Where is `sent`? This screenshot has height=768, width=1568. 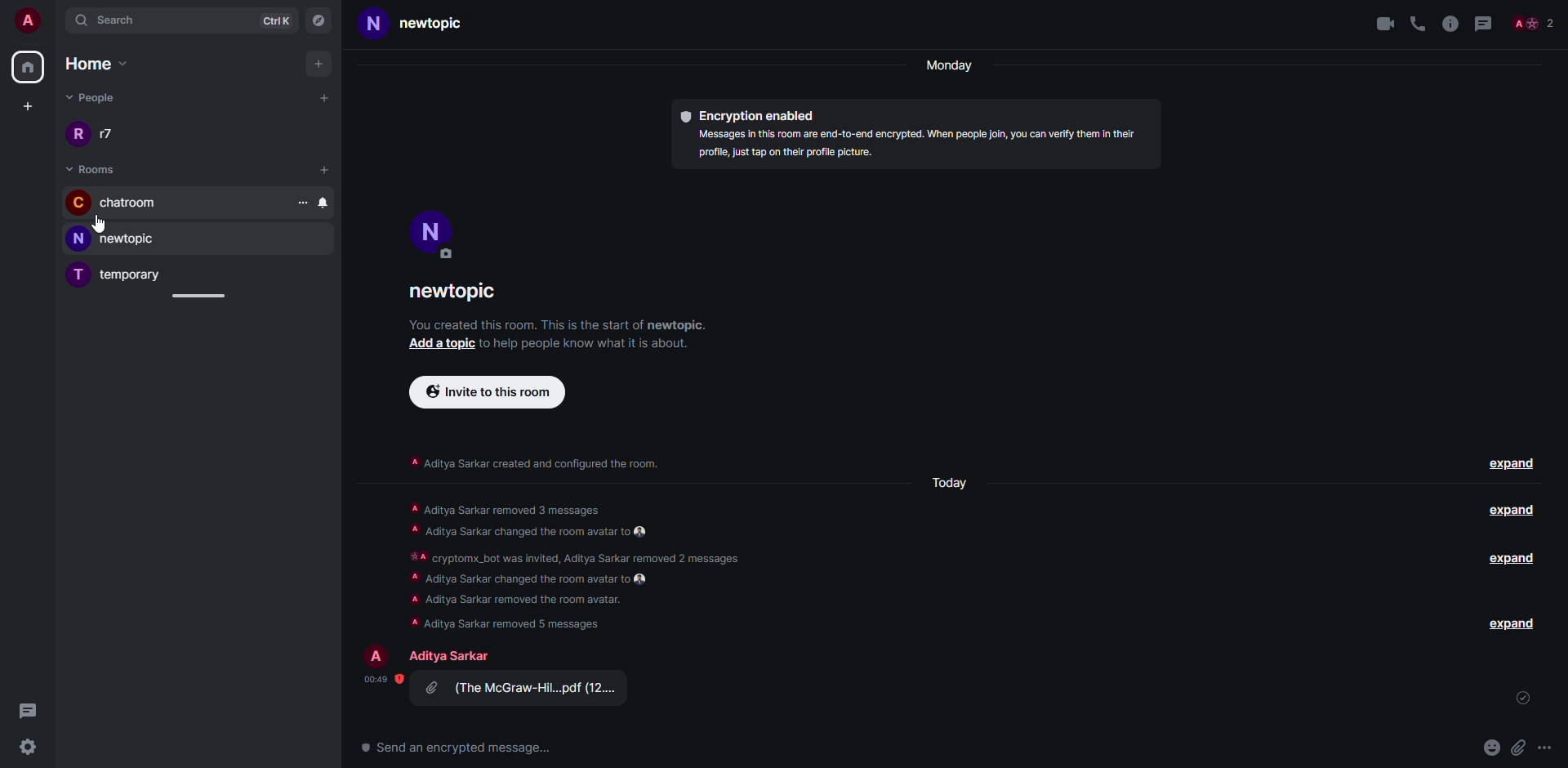 sent is located at coordinates (1522, 697).